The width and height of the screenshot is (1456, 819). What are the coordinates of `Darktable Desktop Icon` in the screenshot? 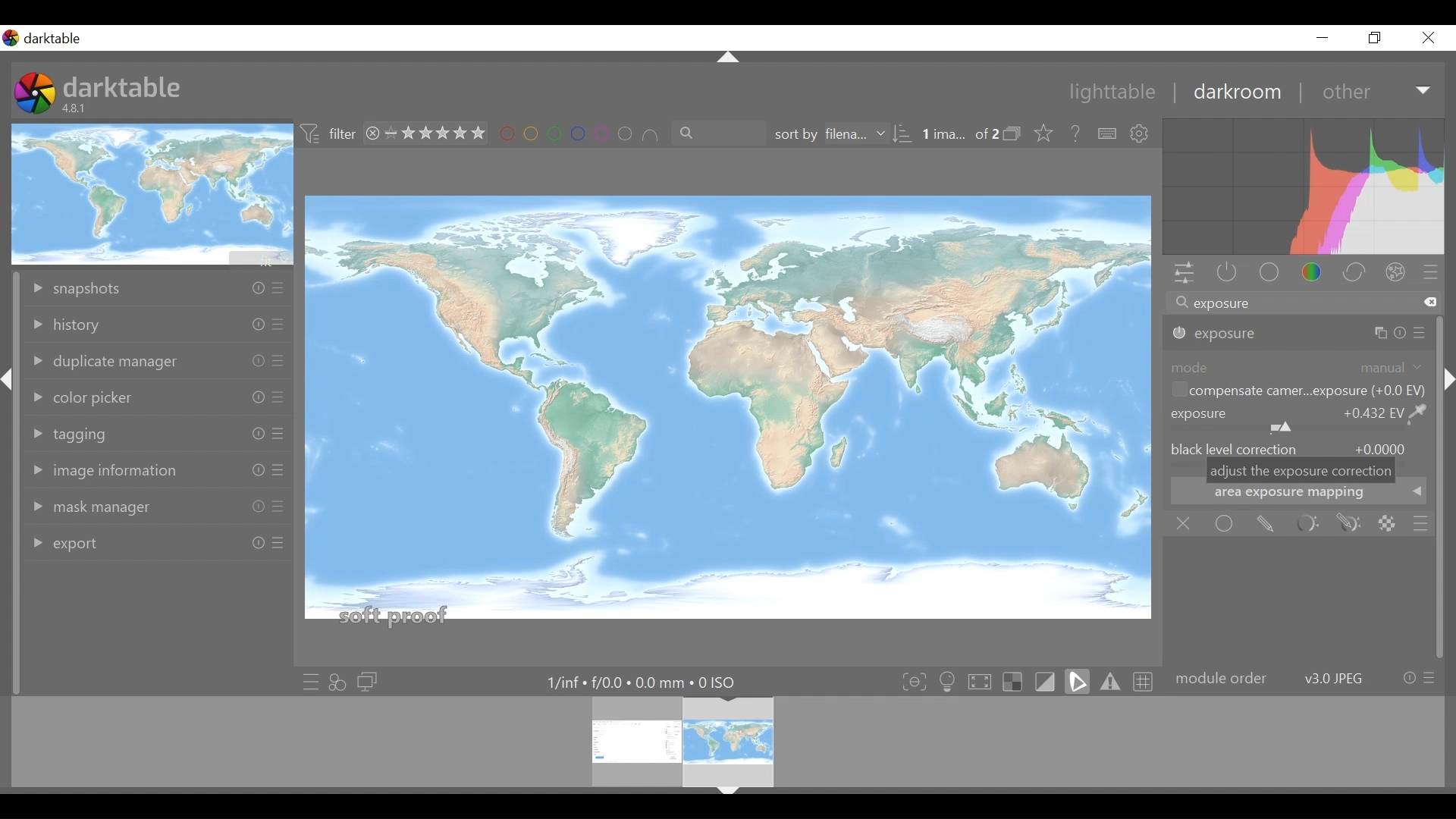 It's located at (36, 95).